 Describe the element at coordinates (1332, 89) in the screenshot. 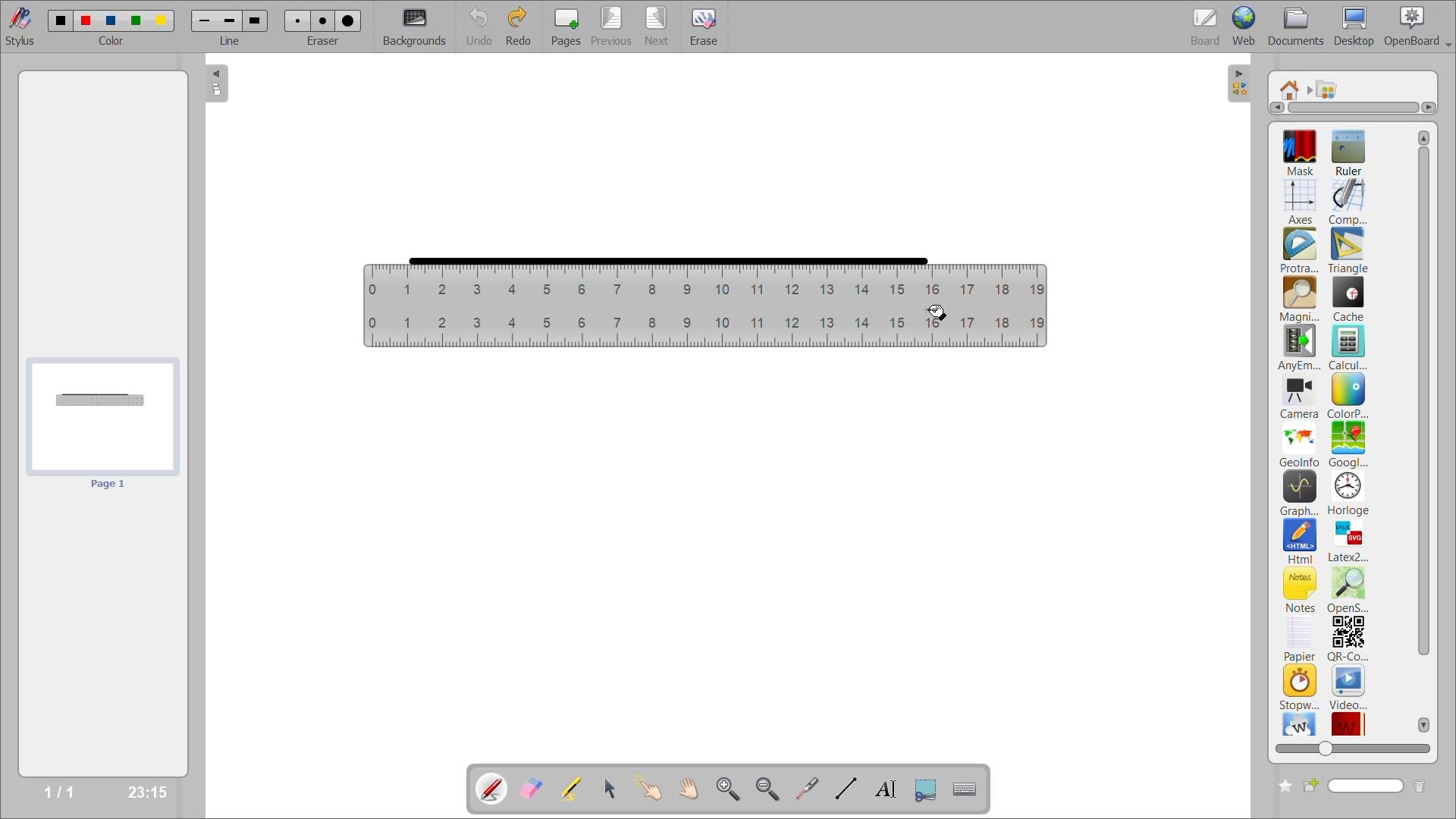

I see `applications` at that location.